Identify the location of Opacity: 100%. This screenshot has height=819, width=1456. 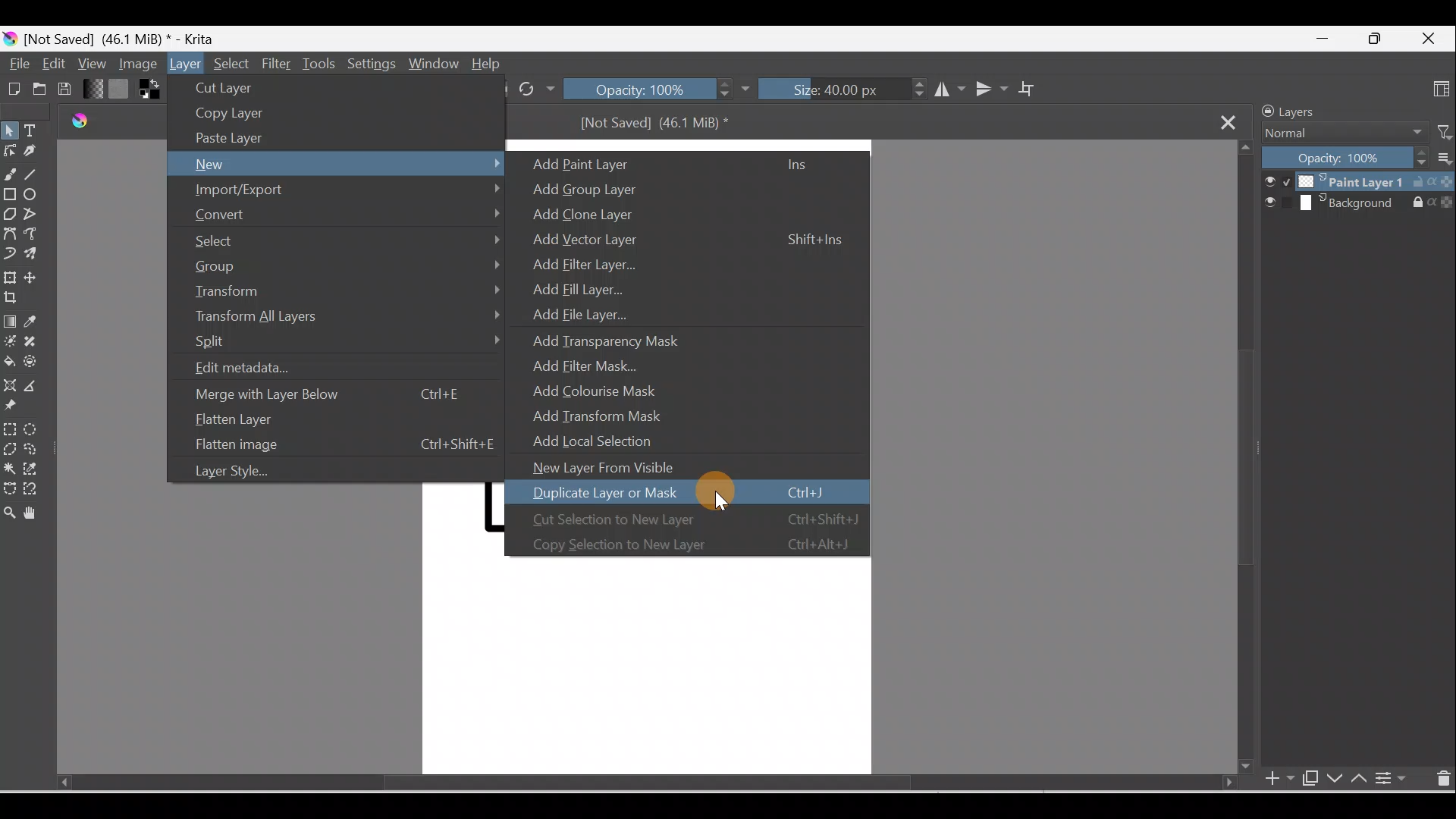
(1345, 158).